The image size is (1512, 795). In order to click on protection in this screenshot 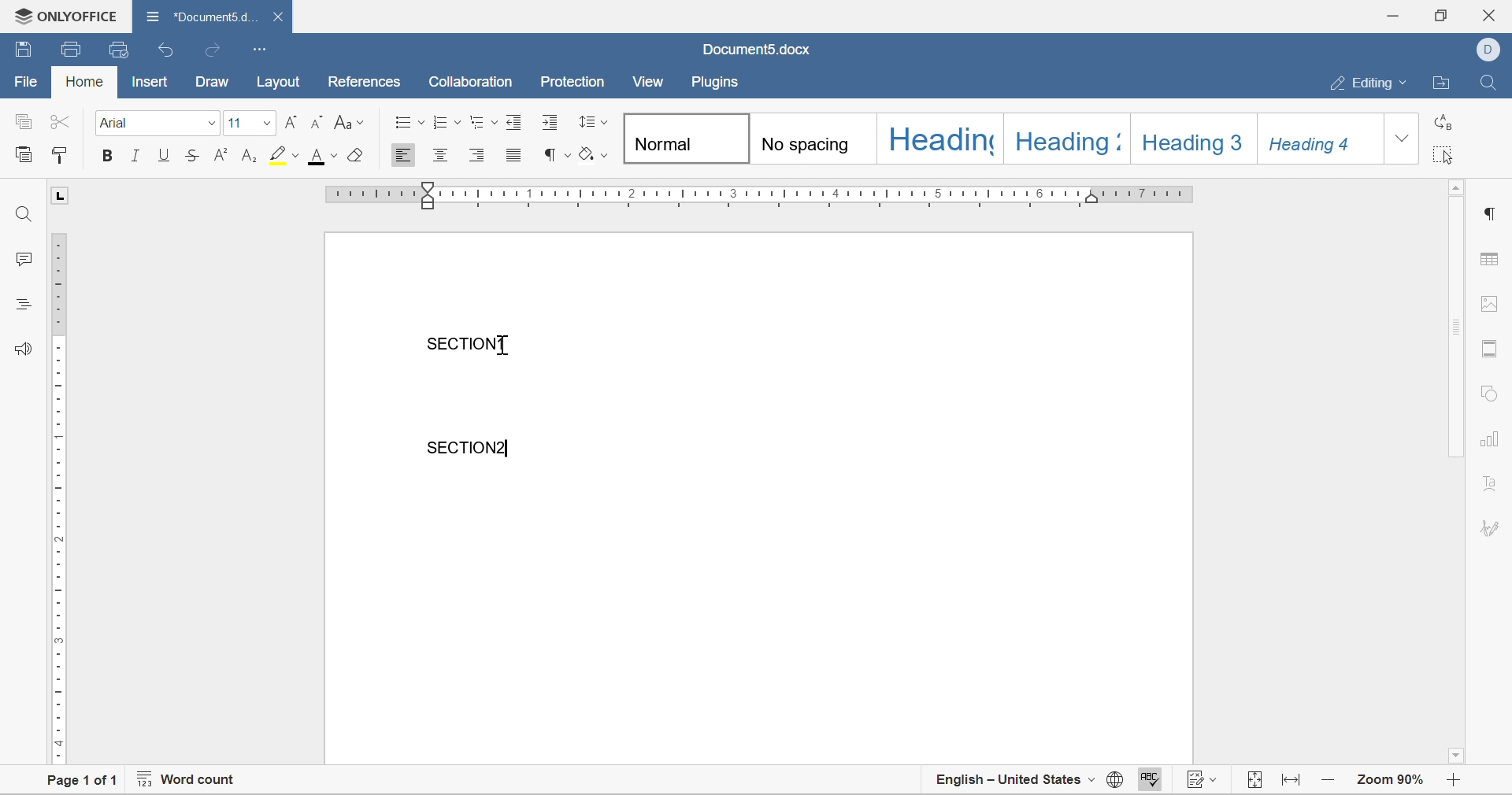, I will do `click(573, 81)`.